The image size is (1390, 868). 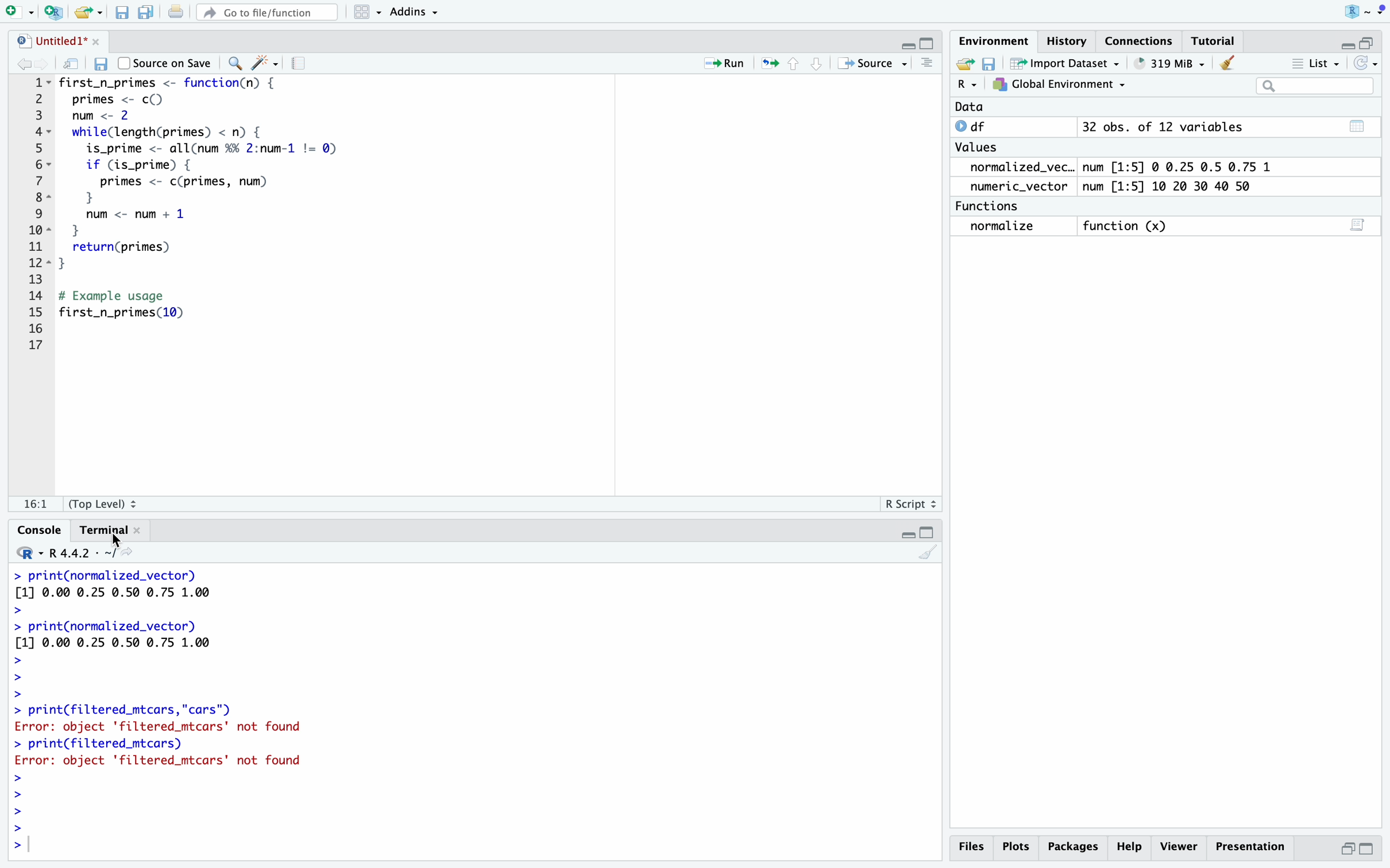 What do you see at coordinates (1143, 40) in the screenshot?
I see `Connections` at bounding box center [1143, 40].